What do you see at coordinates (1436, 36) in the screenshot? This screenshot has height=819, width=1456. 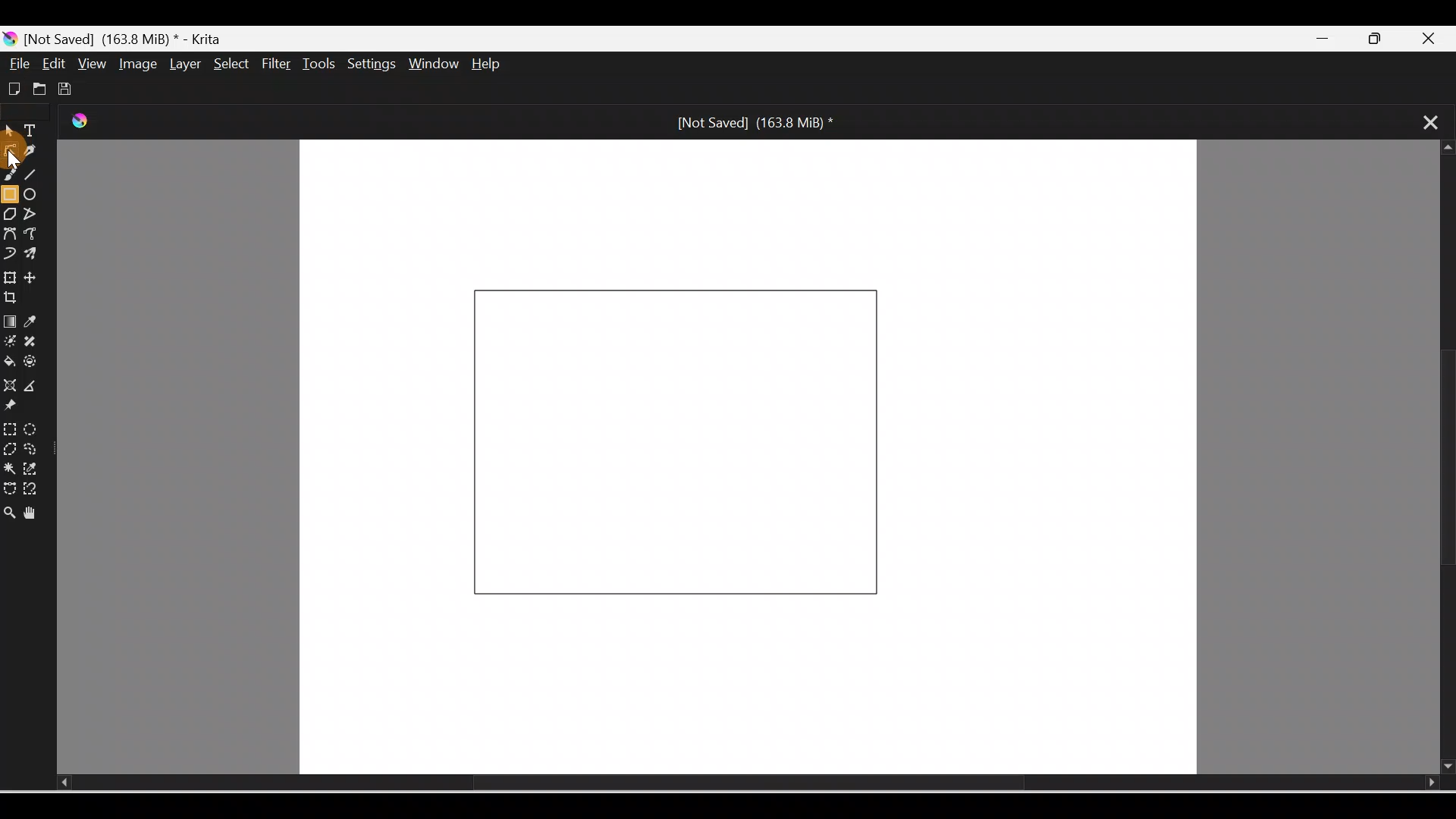 I see `Close` at bounding box center [1436, 36].